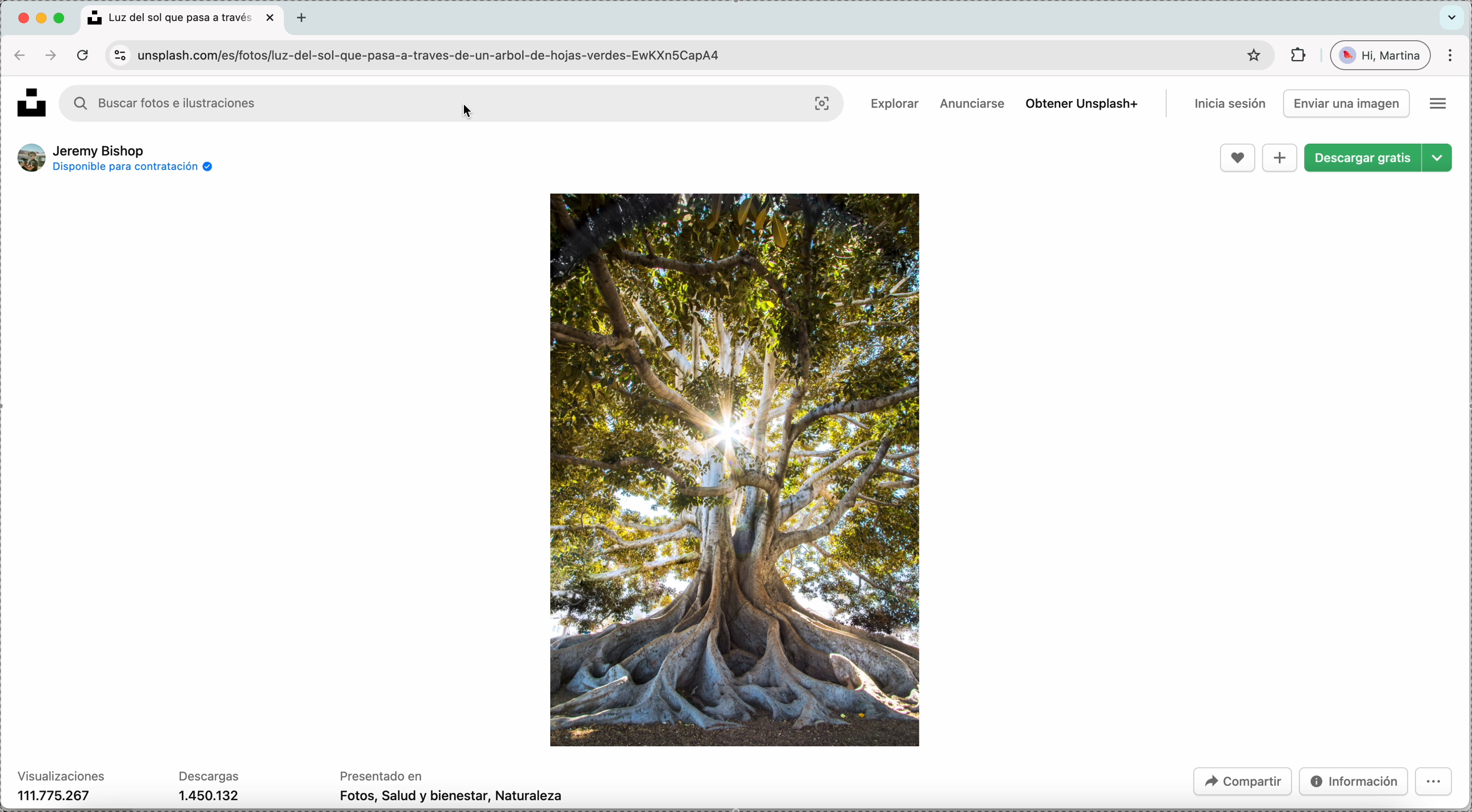  What do you see at coordinates (1377, 158) in the screenshot?
I see `download button` at bounding box center [1377, 158].